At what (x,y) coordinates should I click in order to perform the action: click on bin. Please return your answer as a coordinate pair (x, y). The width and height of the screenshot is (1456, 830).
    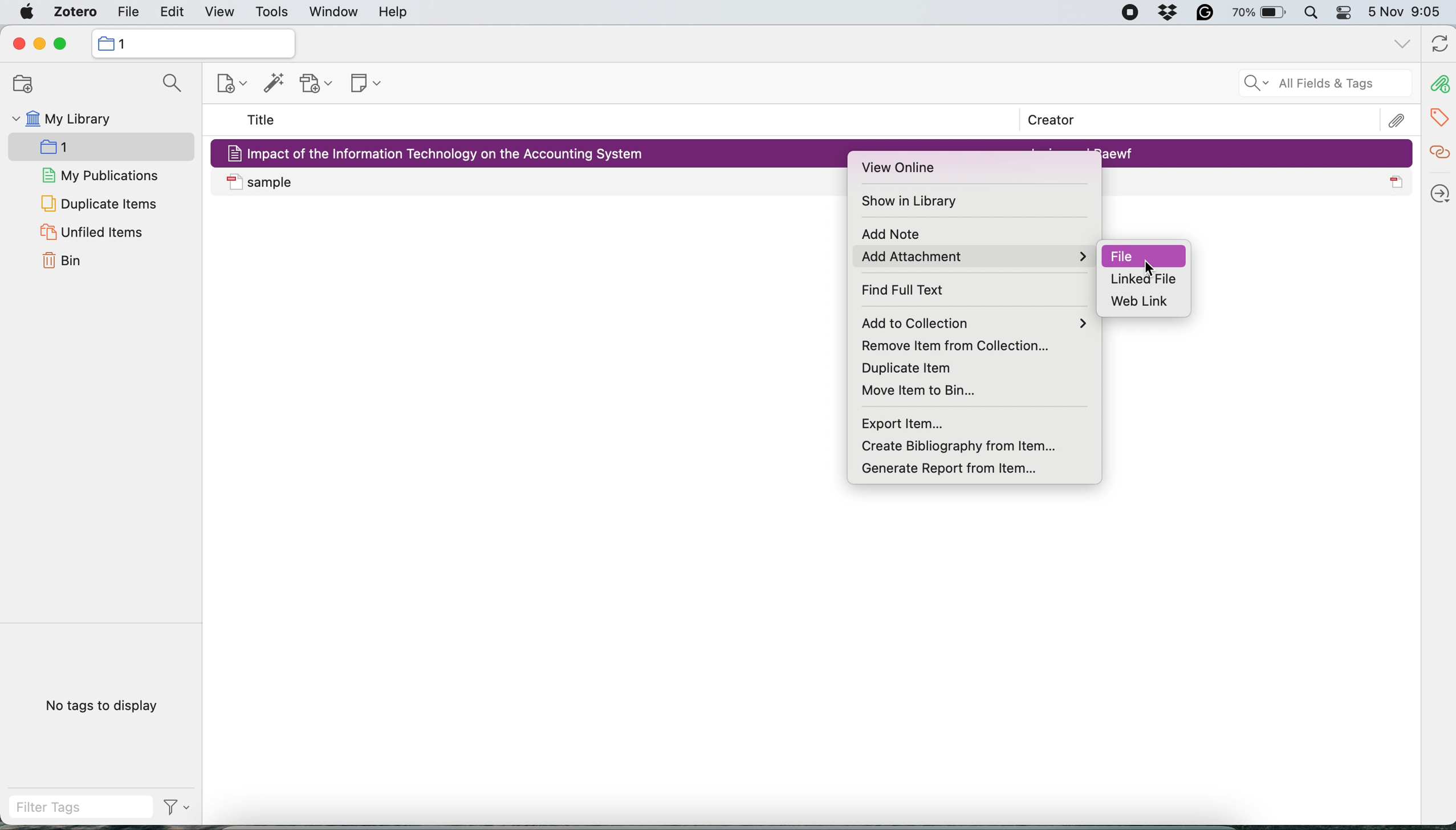
    Looking at the image, I should click on (67, 262).